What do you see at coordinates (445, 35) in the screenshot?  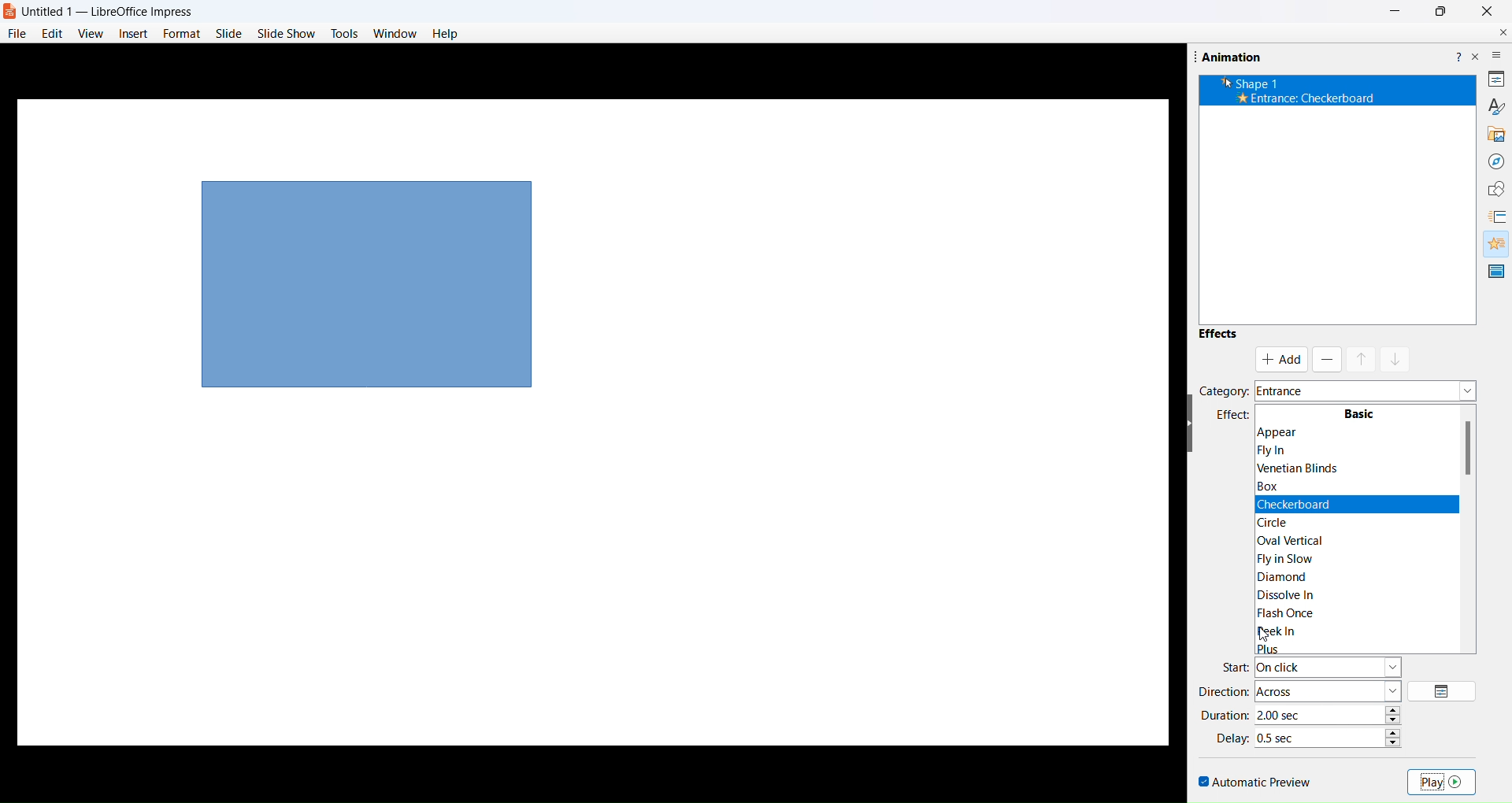 I see `help` at bounding box center [445, 35].